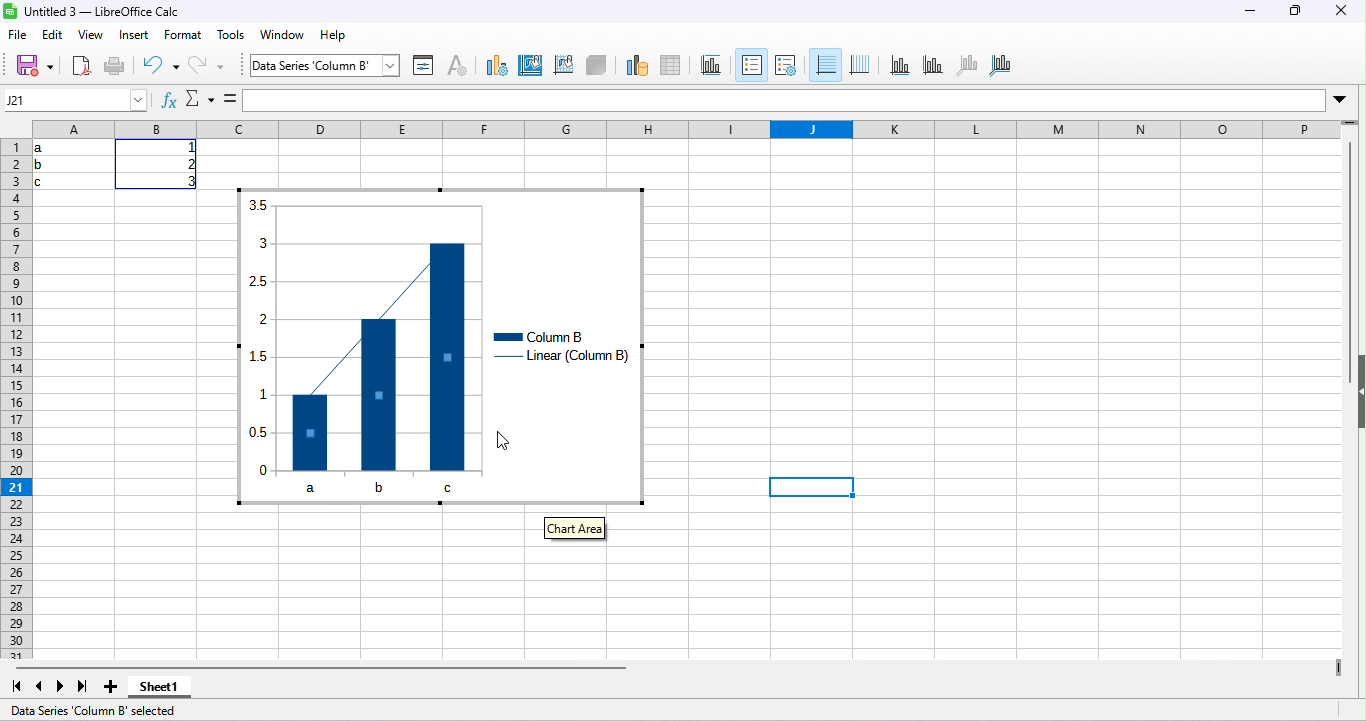 The image size is (1366, 722). What do you see at coordinates (121, 167) in the screenshot?
I see `range of cells` at bounding box center [121, 167].